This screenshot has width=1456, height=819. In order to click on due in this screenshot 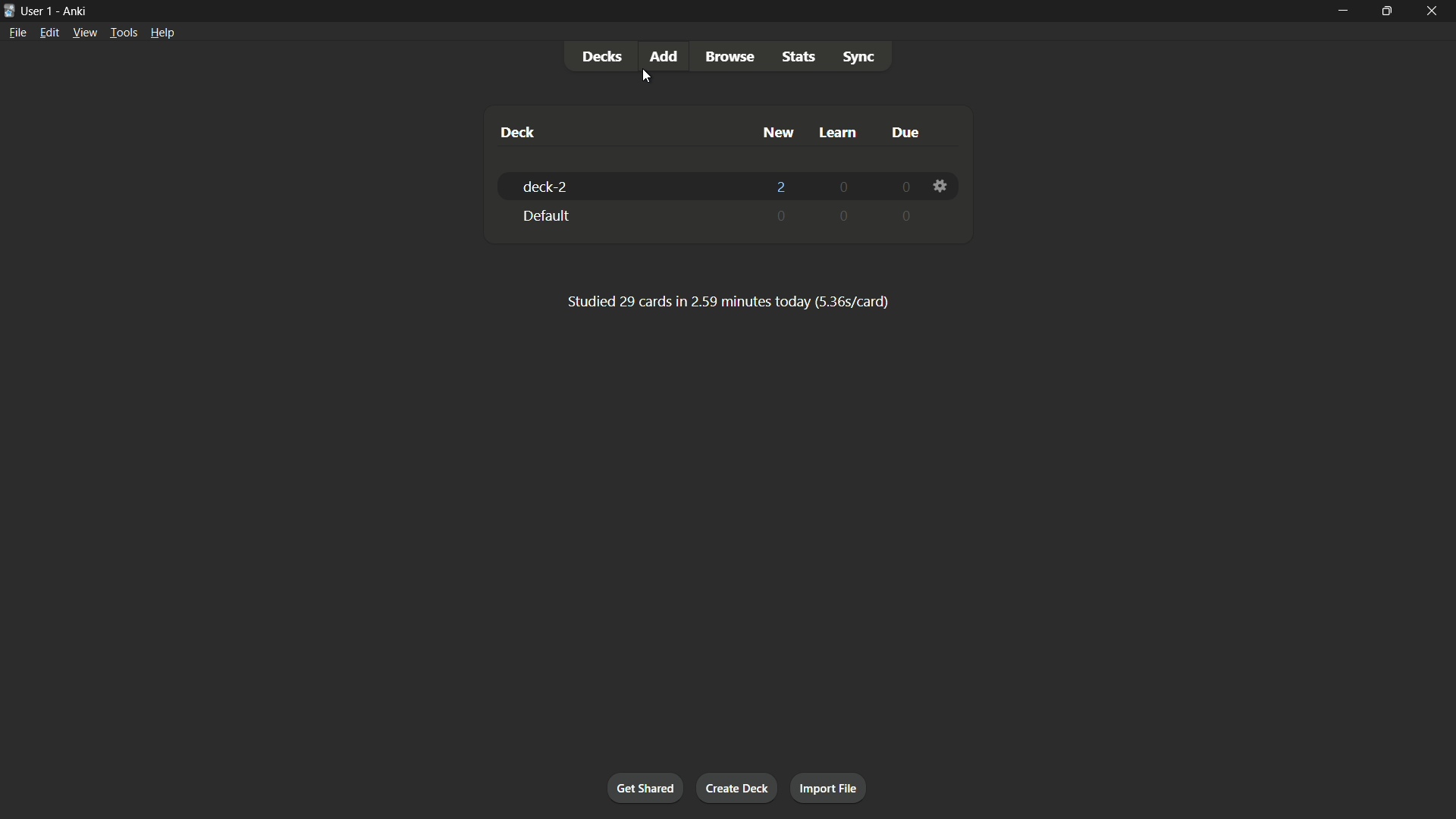, I will do `click(904, 132)`.